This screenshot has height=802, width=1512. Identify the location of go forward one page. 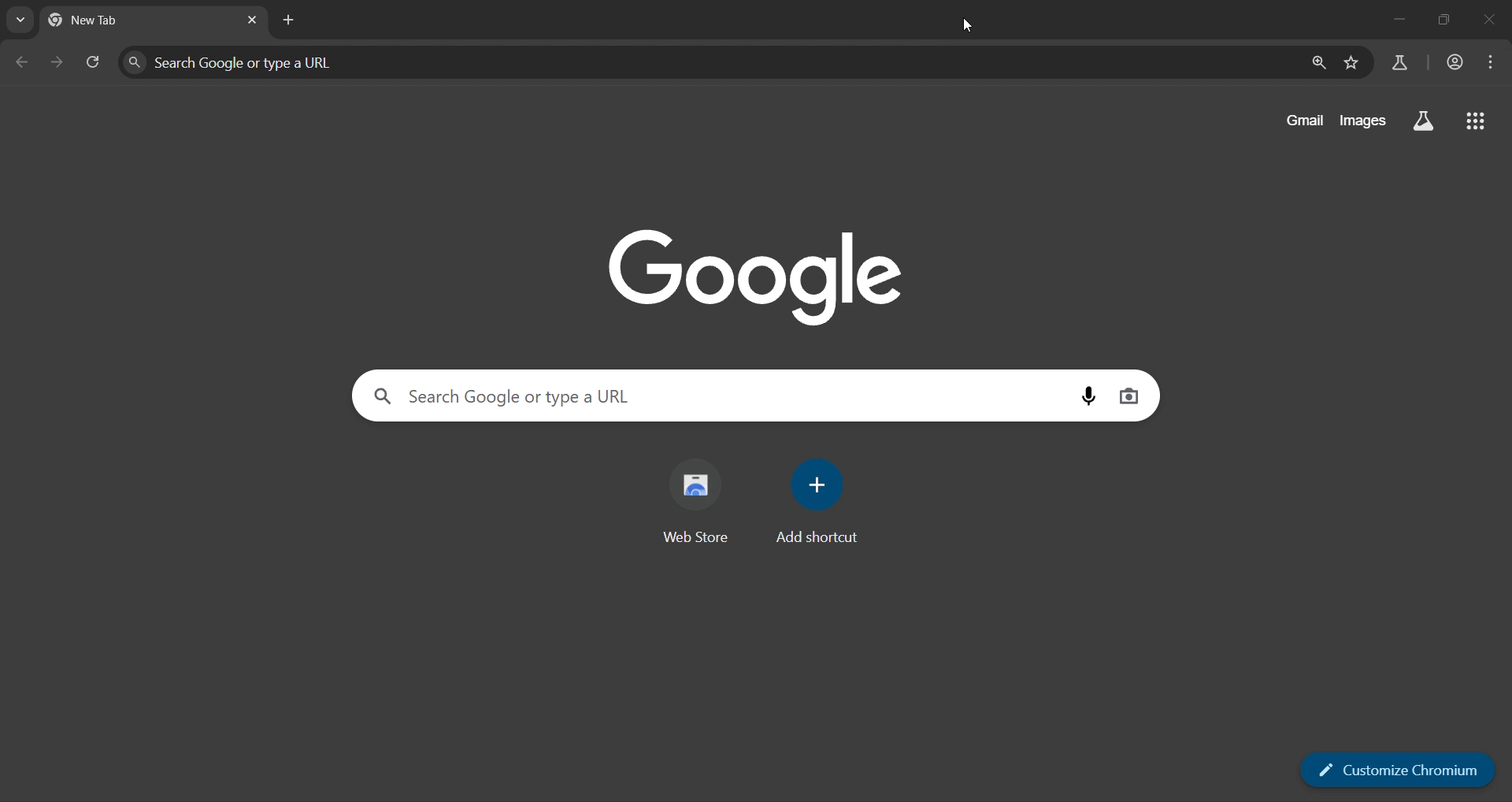
(56, 62).